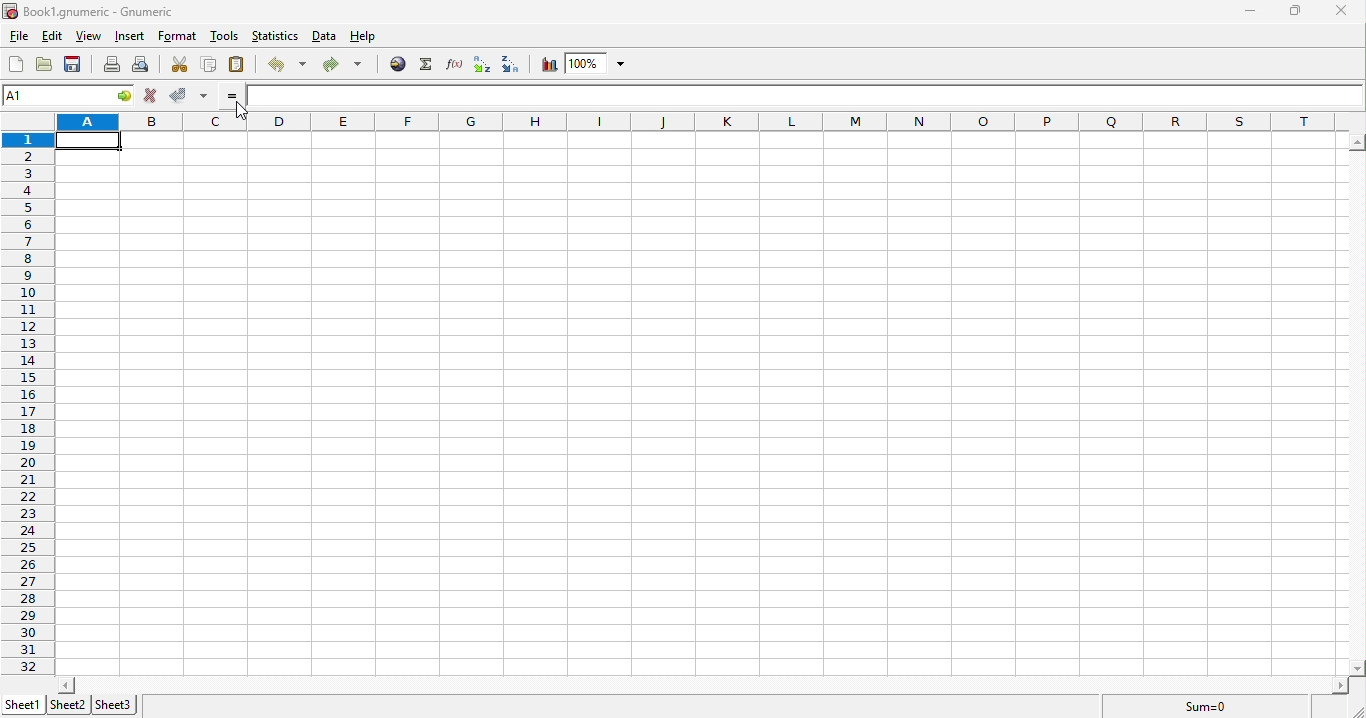 The width and height of the screenshot is (1366, 718). What do you see at coordinates (241, 110) in the screenshot?
I see `cursor` at bounding box center [241, 110].